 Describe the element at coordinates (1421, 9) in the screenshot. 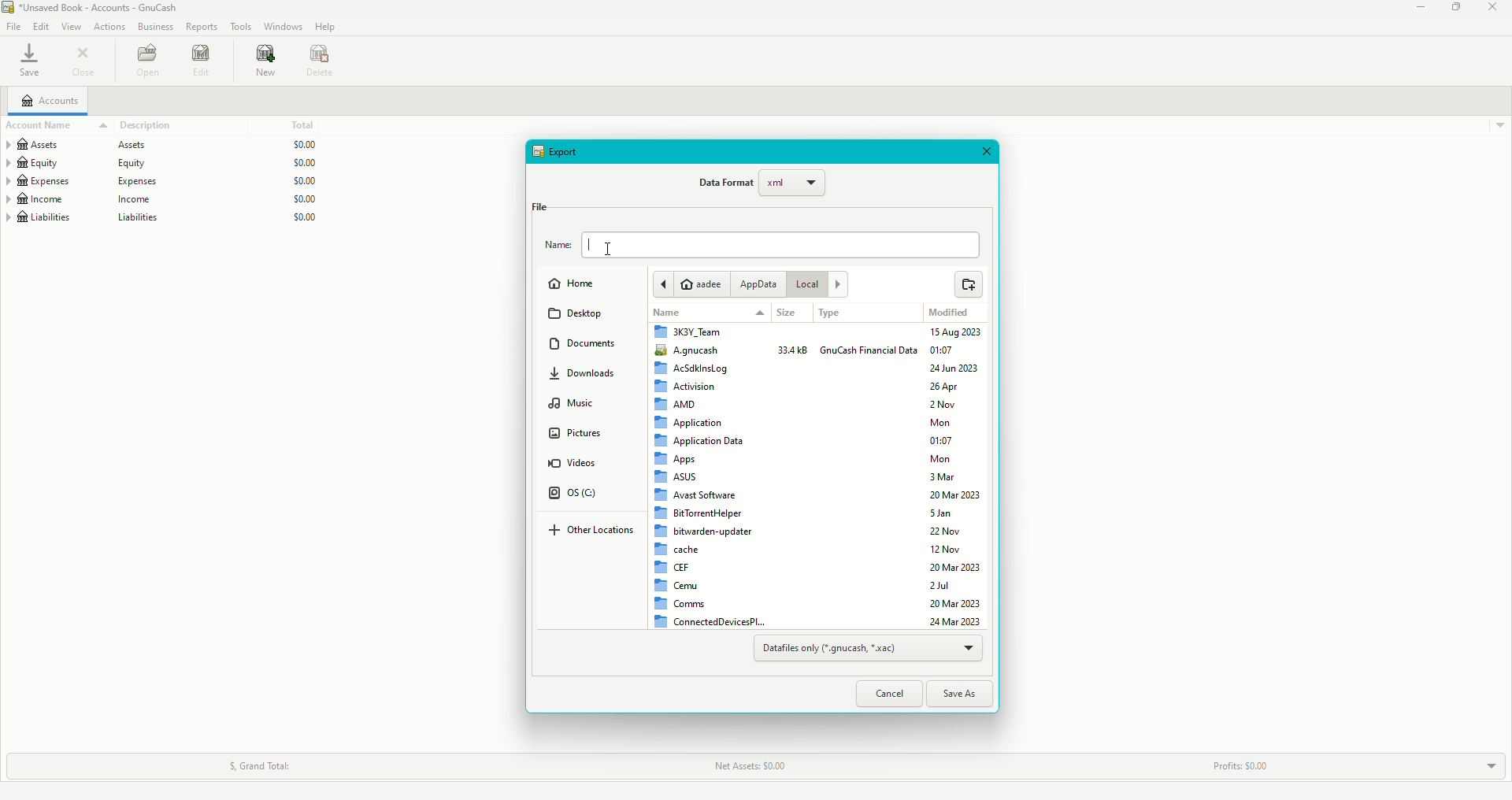

I see `Minimize` at that location.